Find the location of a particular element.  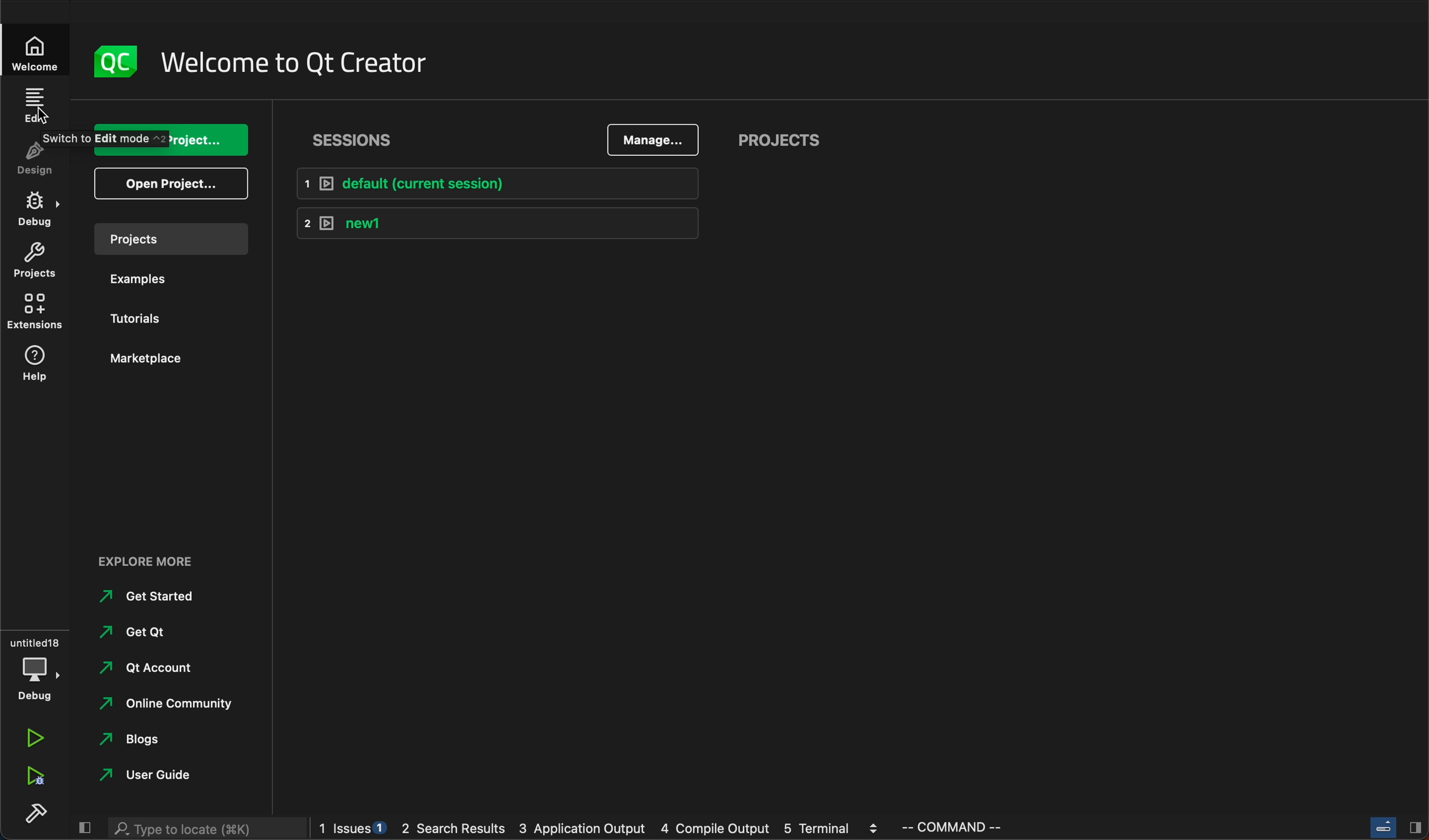

design is located at coordinates (44, 156).